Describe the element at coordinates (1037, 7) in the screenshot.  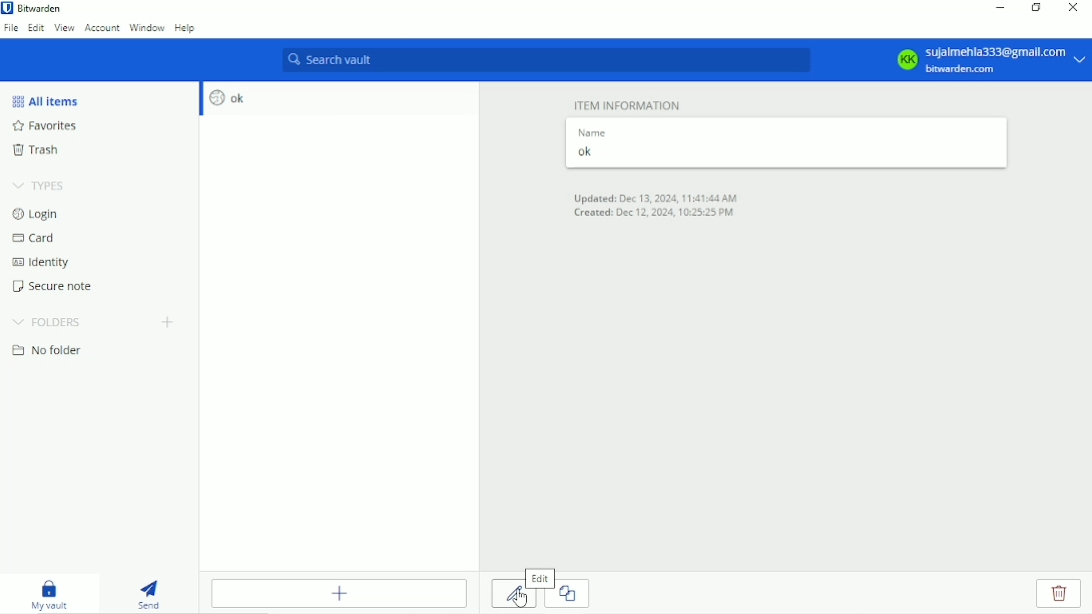
I see `Restore down` at that location.